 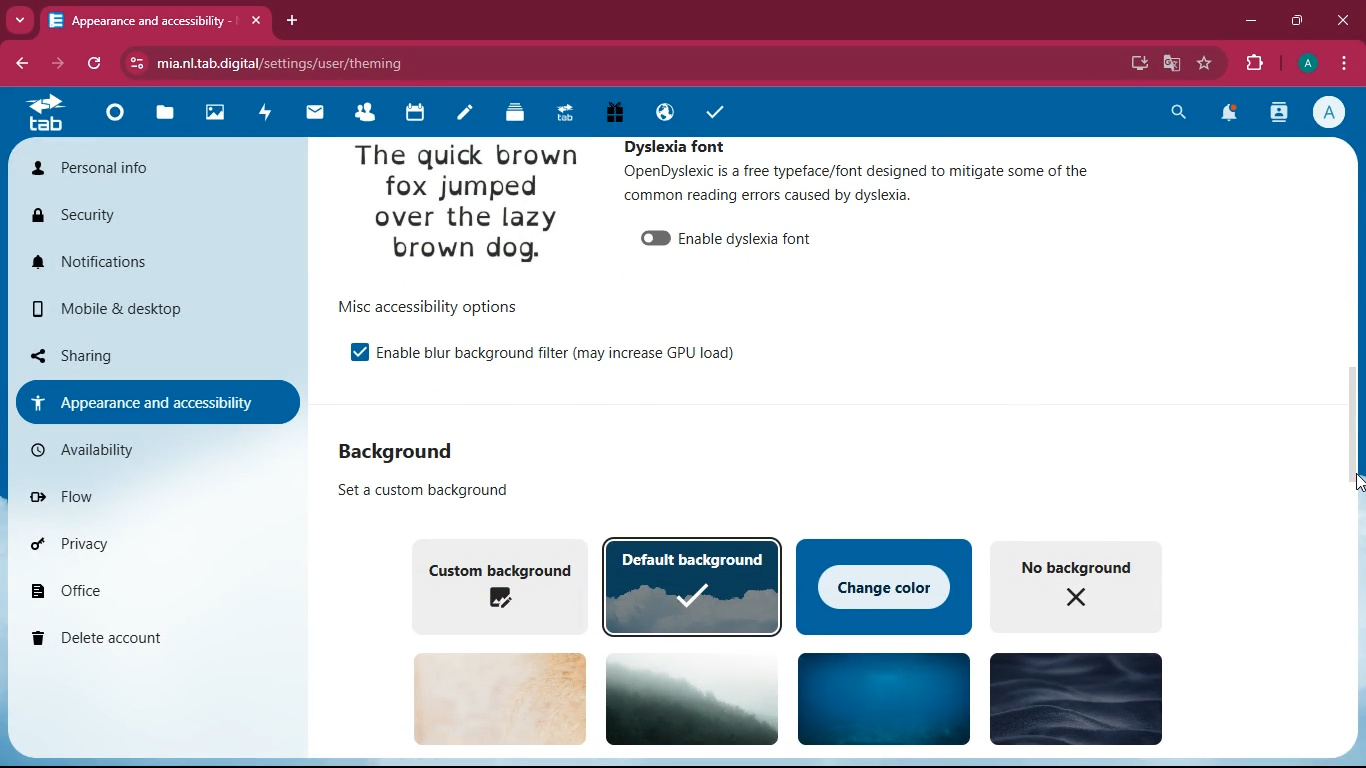 I want to click on desktop, so click(x=1138, y=63).